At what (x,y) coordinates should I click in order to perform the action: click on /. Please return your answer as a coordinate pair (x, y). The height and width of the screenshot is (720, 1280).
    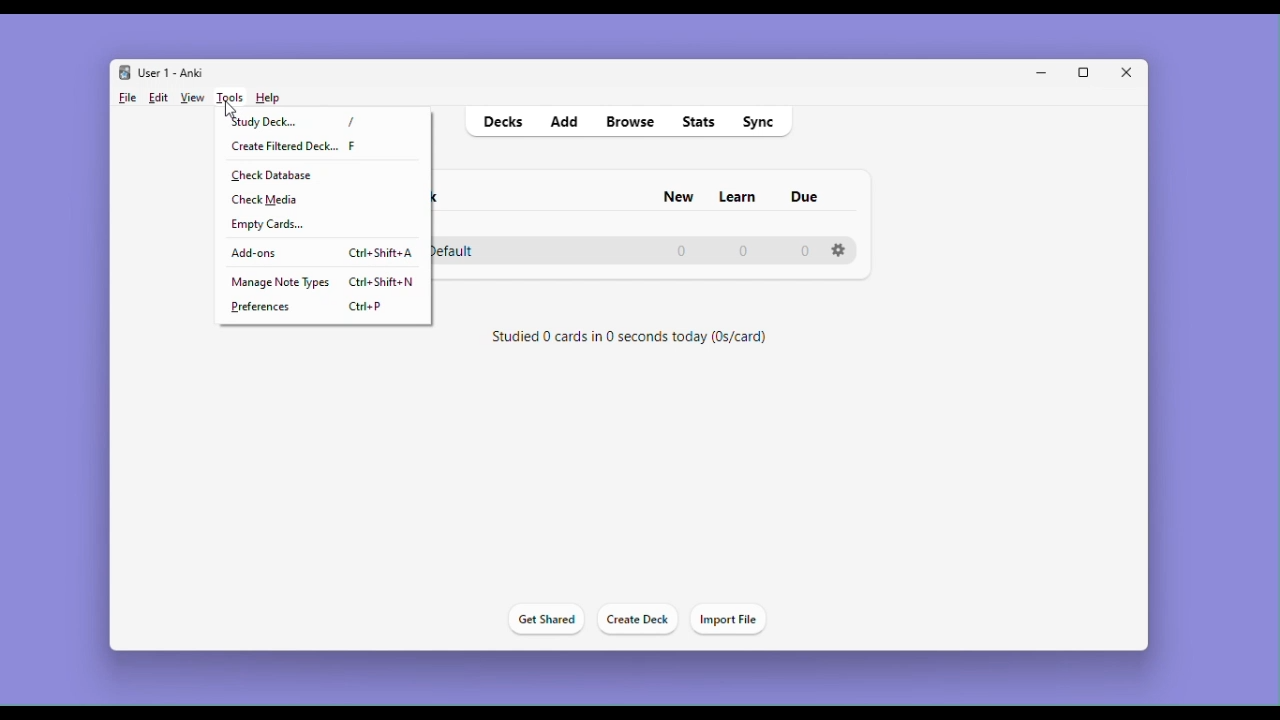
    Looking at the image, I should click on (357, 121).